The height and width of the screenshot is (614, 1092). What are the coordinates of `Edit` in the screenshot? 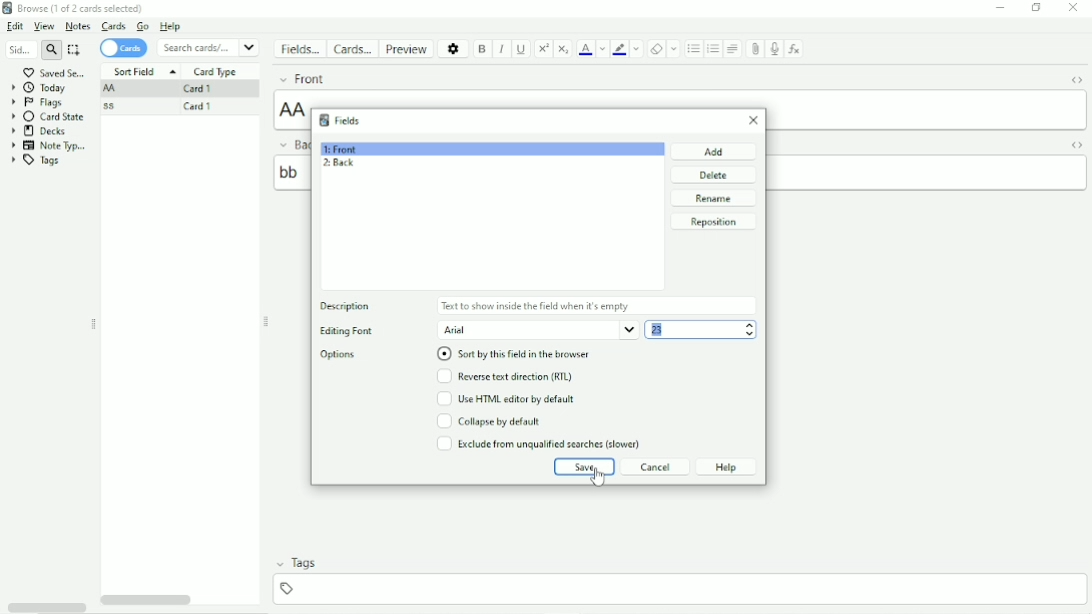 It's located at (16, 26).